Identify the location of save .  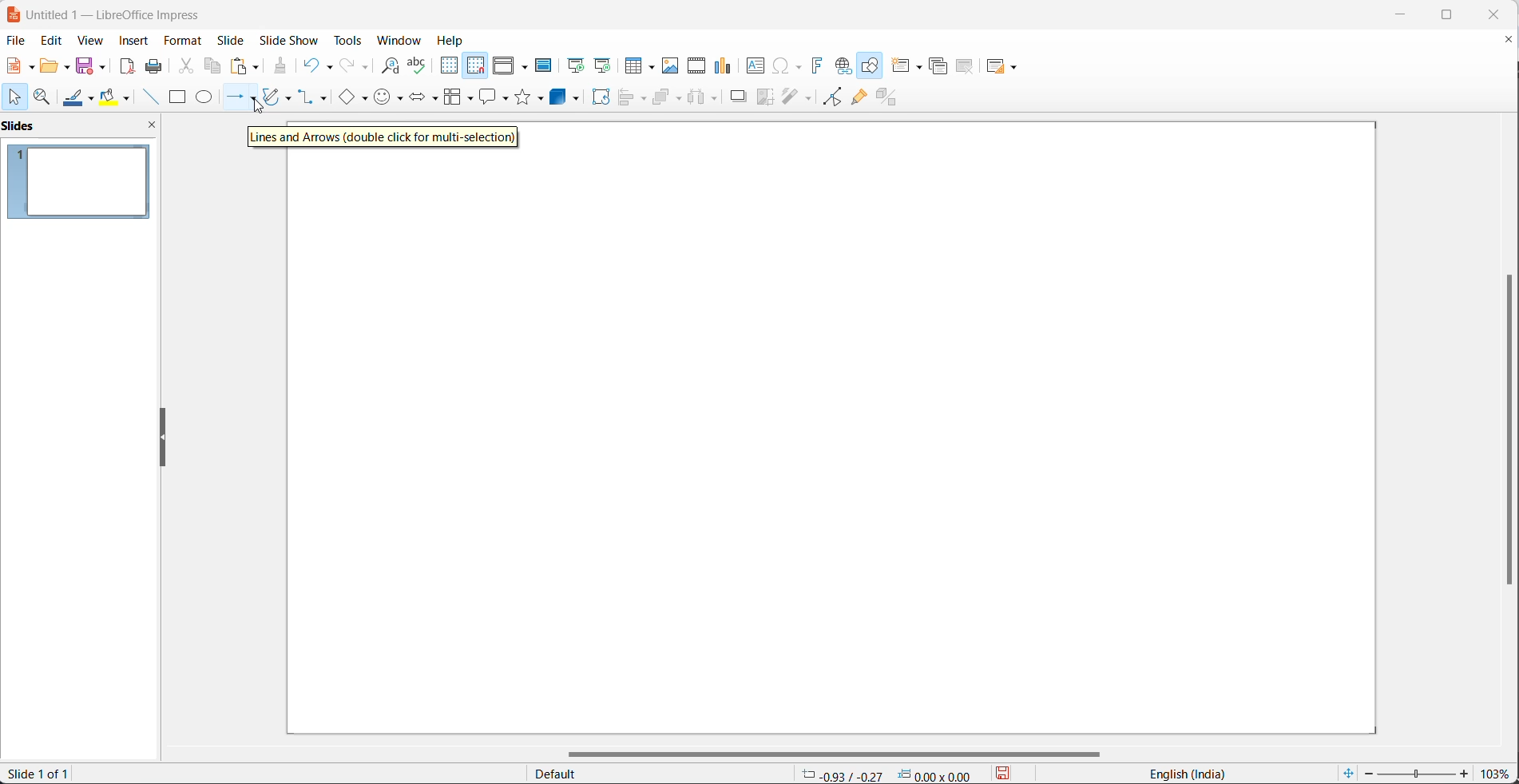
(88, 65).